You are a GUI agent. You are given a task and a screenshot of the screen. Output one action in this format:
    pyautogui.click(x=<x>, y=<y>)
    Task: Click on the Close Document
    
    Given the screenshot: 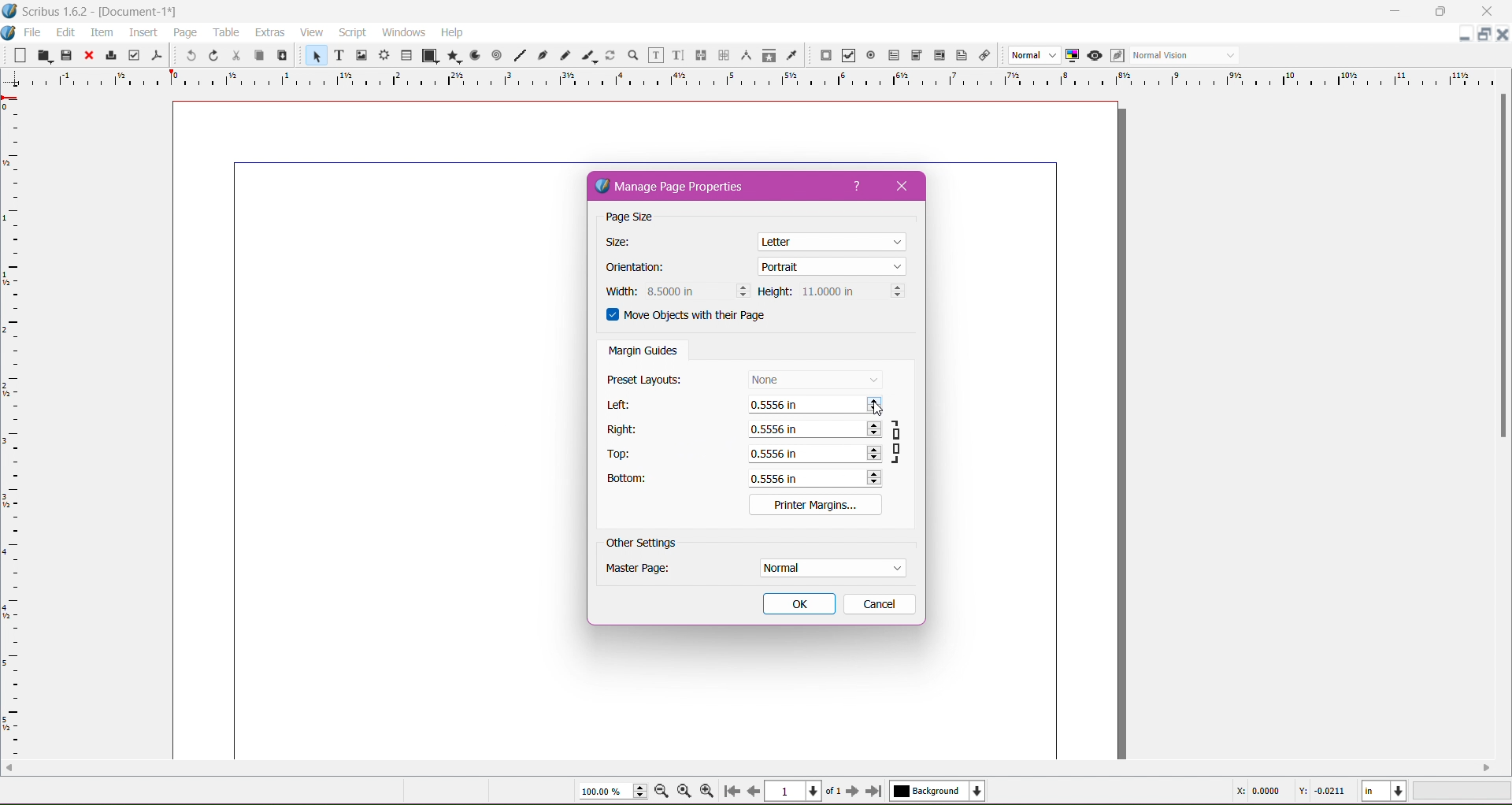 What is the action you would take?
    pyautogui.click(x=1503, y=35)
    